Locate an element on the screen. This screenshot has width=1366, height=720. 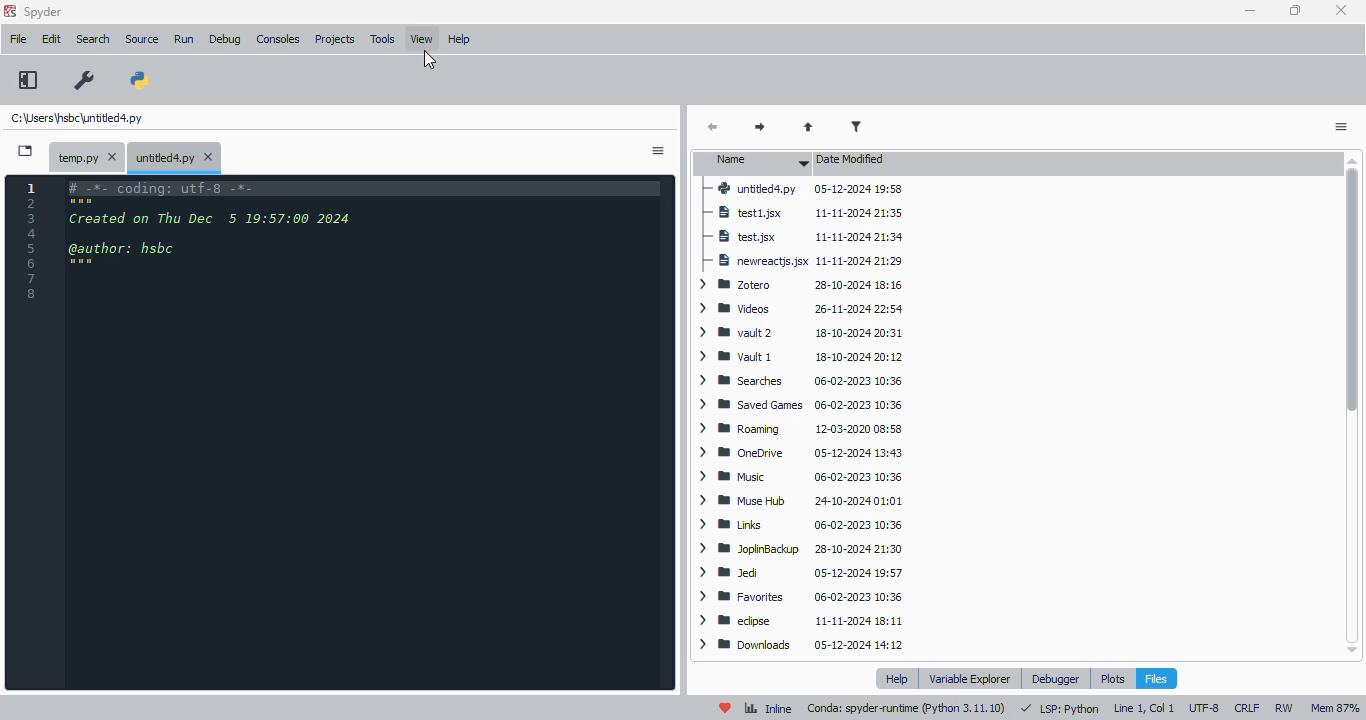
spyder is located at coordinates (44, 11).